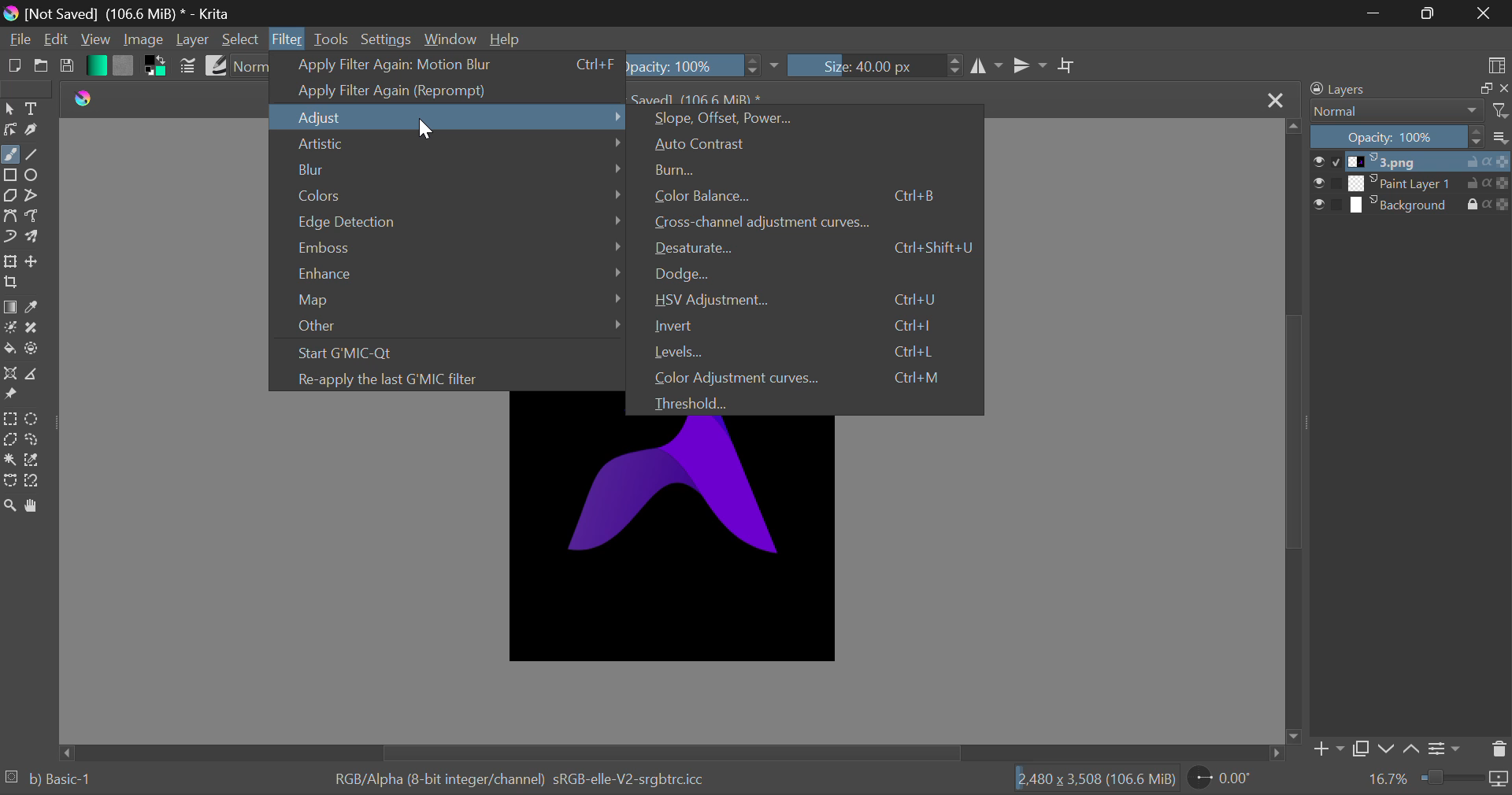  What do you see at coordinates (809, 402) in the screenshot?
I see `Threshold` at bounding box center [809, 402].